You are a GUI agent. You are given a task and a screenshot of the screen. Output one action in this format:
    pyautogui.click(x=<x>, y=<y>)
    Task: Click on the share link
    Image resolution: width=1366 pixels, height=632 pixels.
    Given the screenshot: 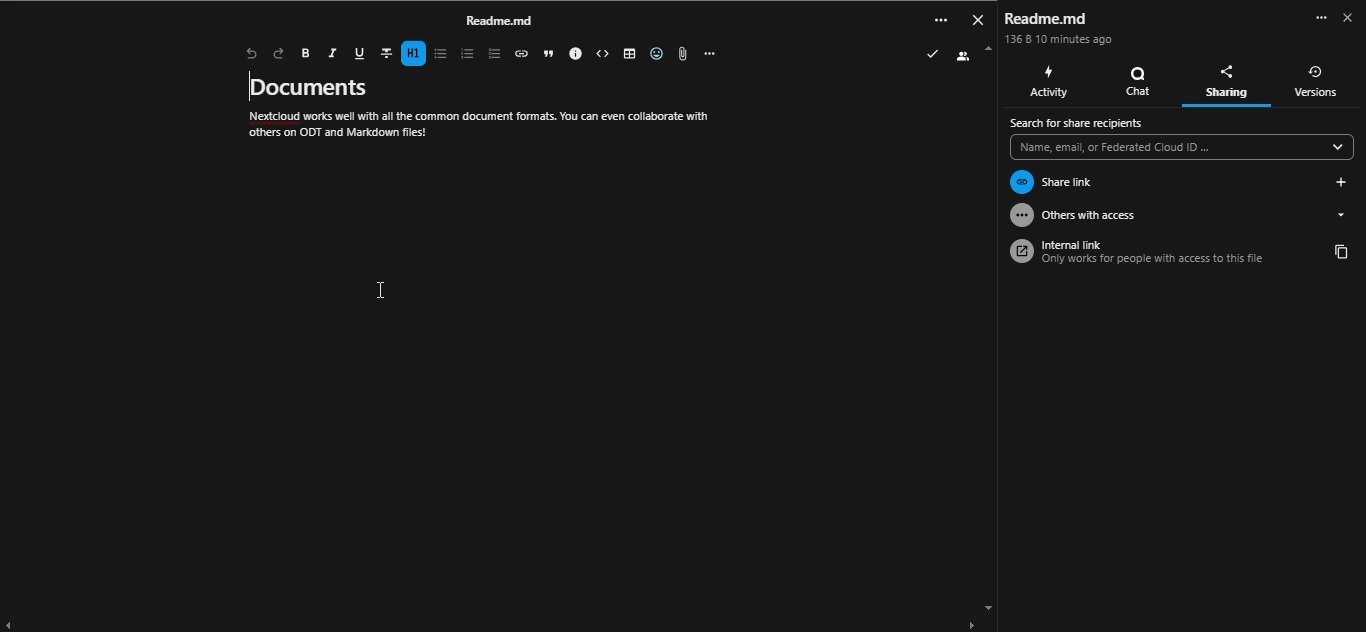 What is the action you would take?
    pyautogui.click(x=1160, y=182)
    